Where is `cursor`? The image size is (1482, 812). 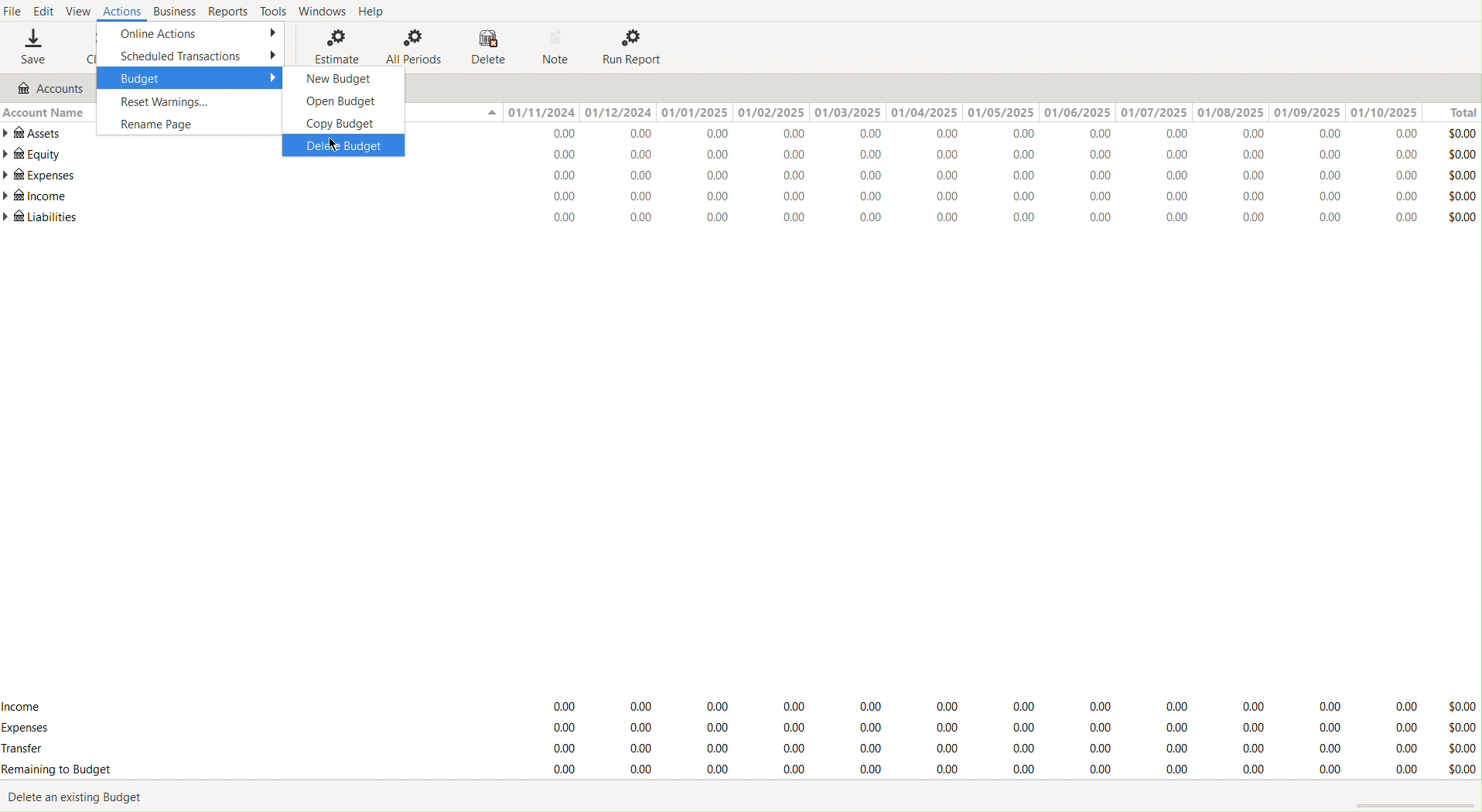 cursor is located at coordinates (333, 145).